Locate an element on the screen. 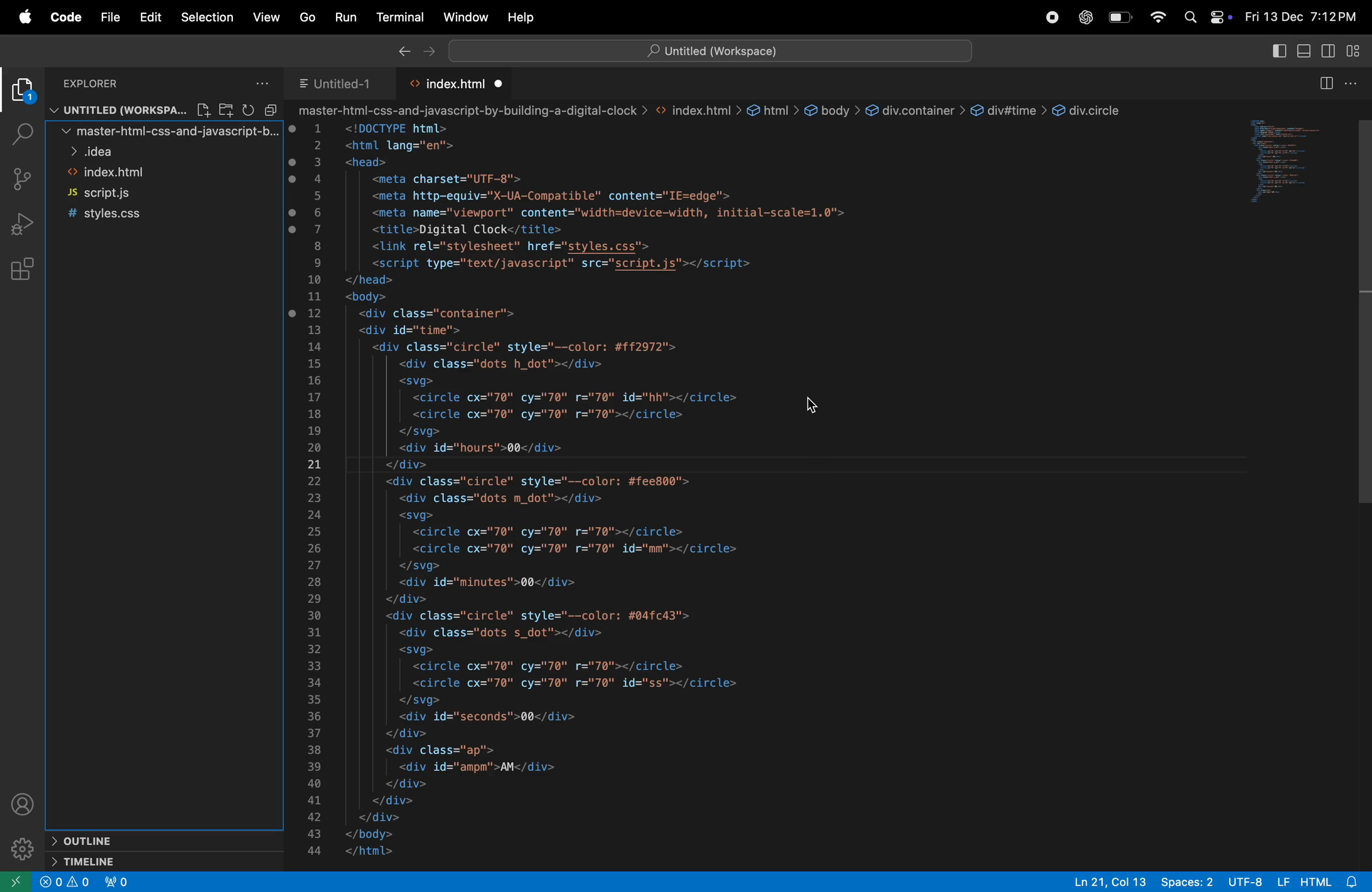  line 21 col 13 is located at coordinates (1111, 880).